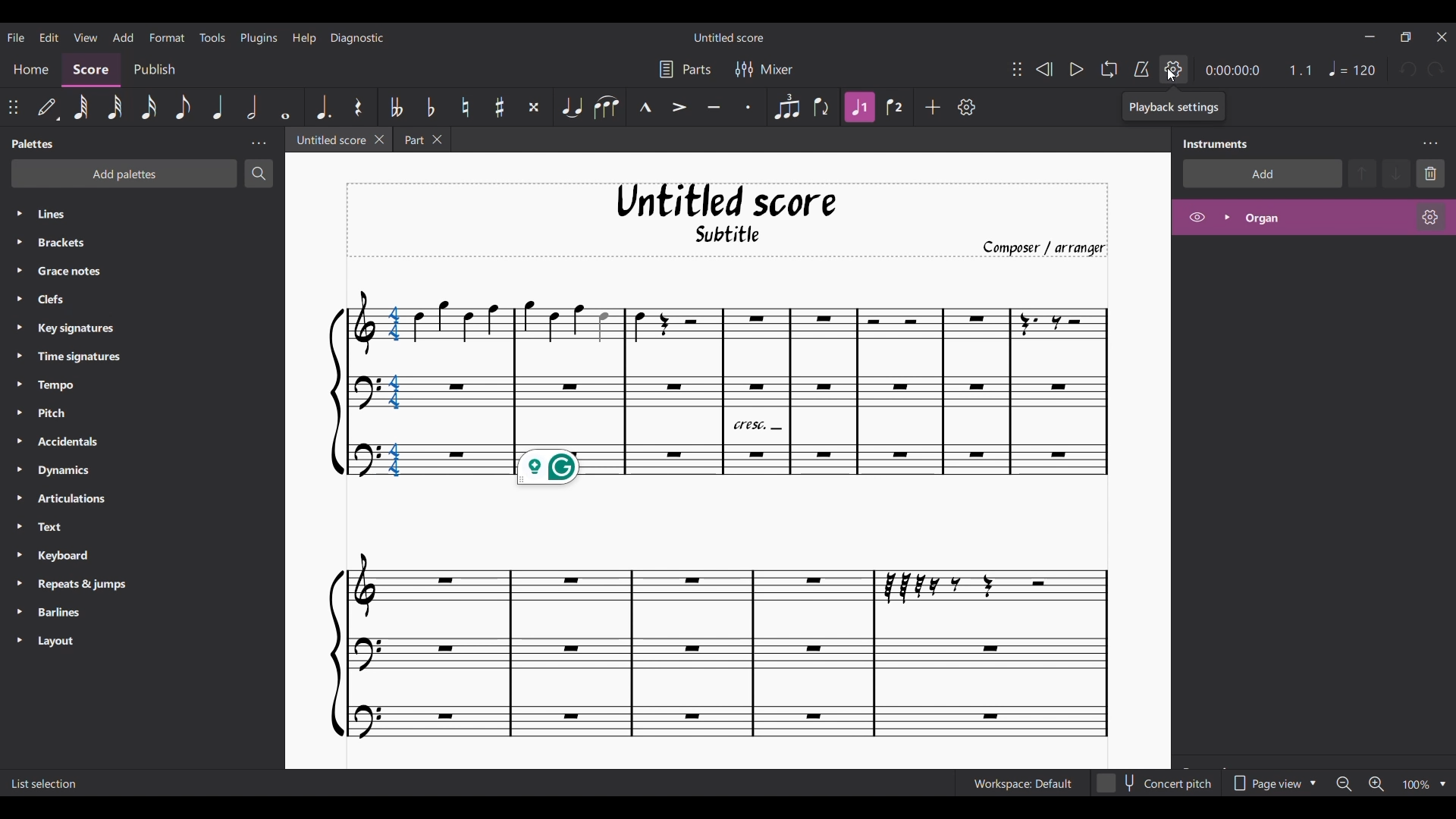 This screenshot has width=1456, height=819. Describe the element at coordinates (1154, 783) in the screenshot. I see `Toggle for Concert pitch ` at that location.